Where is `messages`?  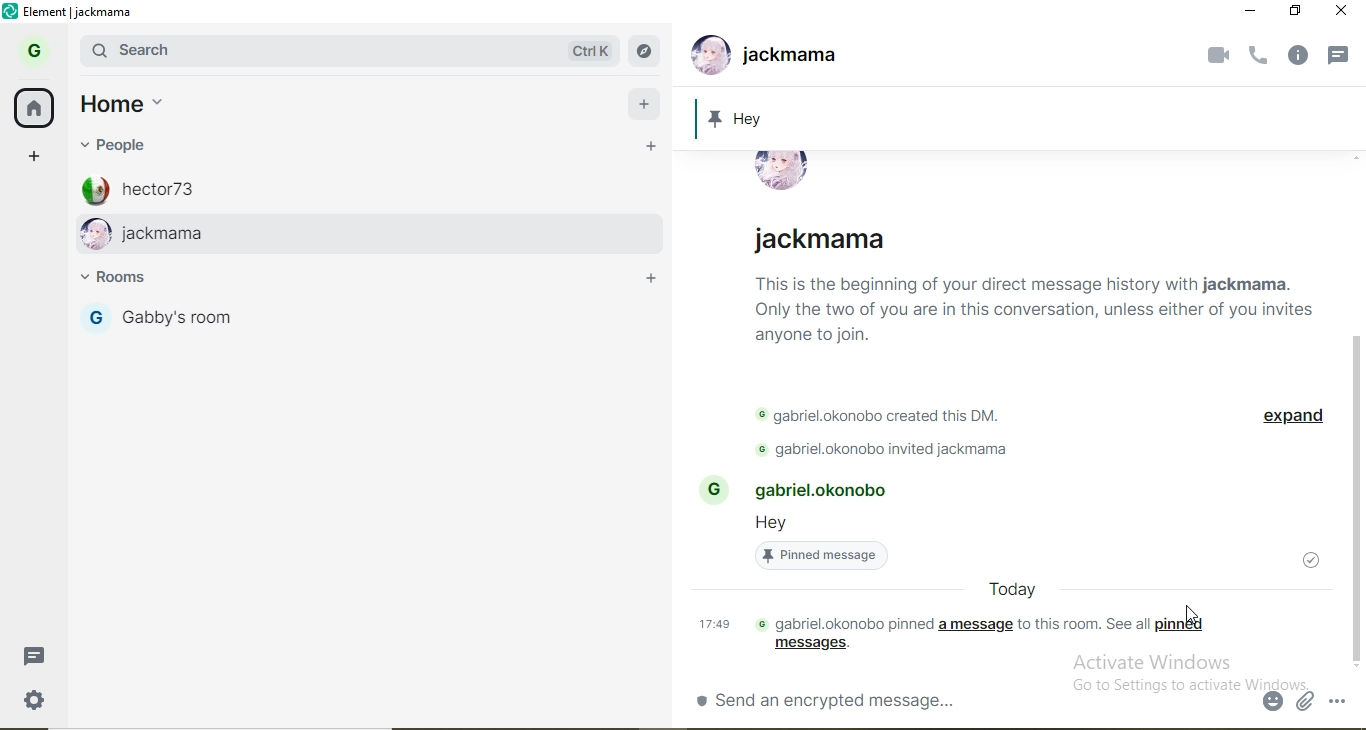
messages is located at coordinates (811, 646).